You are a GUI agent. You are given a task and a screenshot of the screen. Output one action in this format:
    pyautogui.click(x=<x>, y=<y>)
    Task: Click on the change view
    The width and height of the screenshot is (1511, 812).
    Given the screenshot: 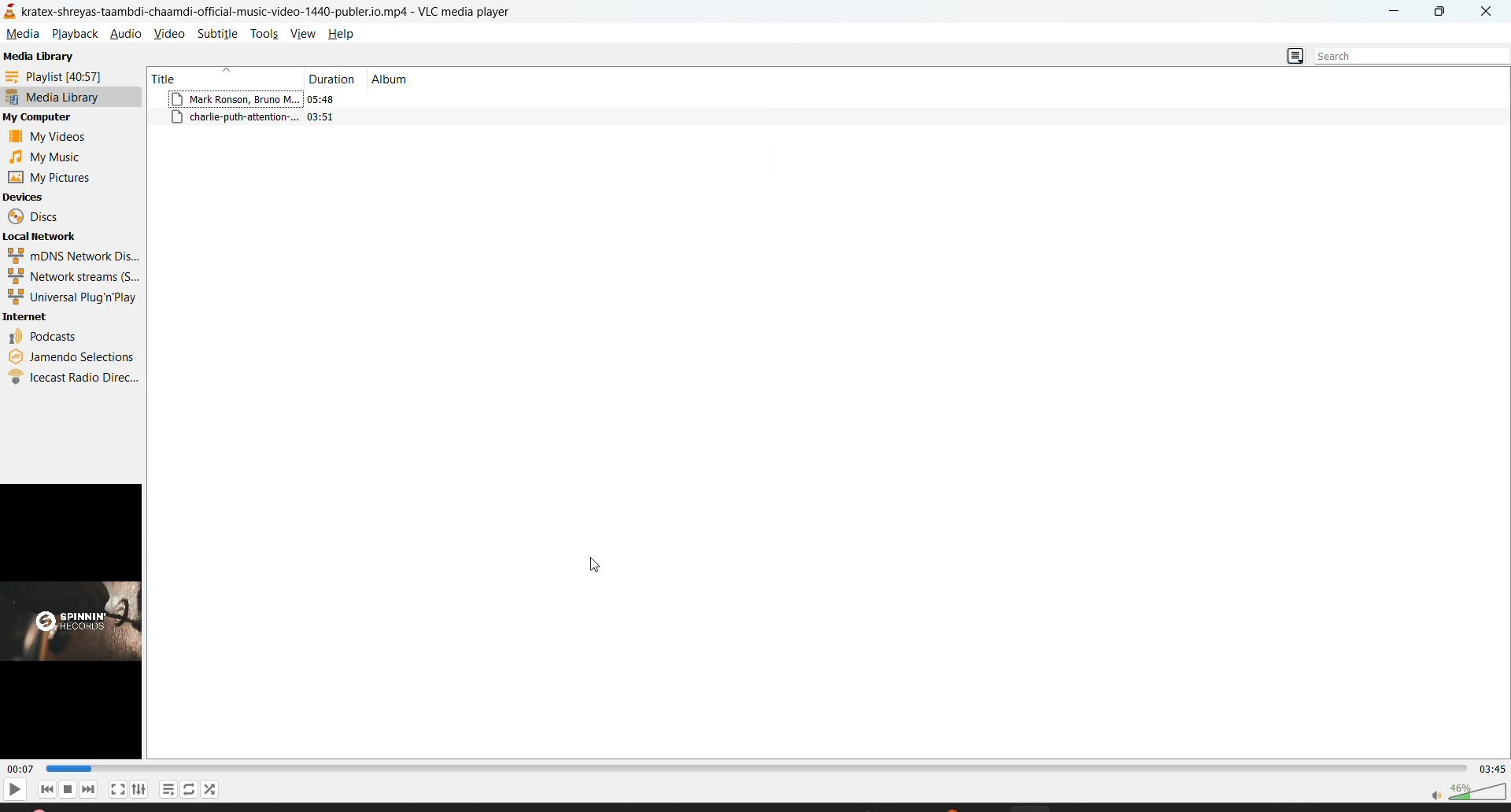 What is the action you would take?
    pyautogui.click(x=1292, y=57)
    